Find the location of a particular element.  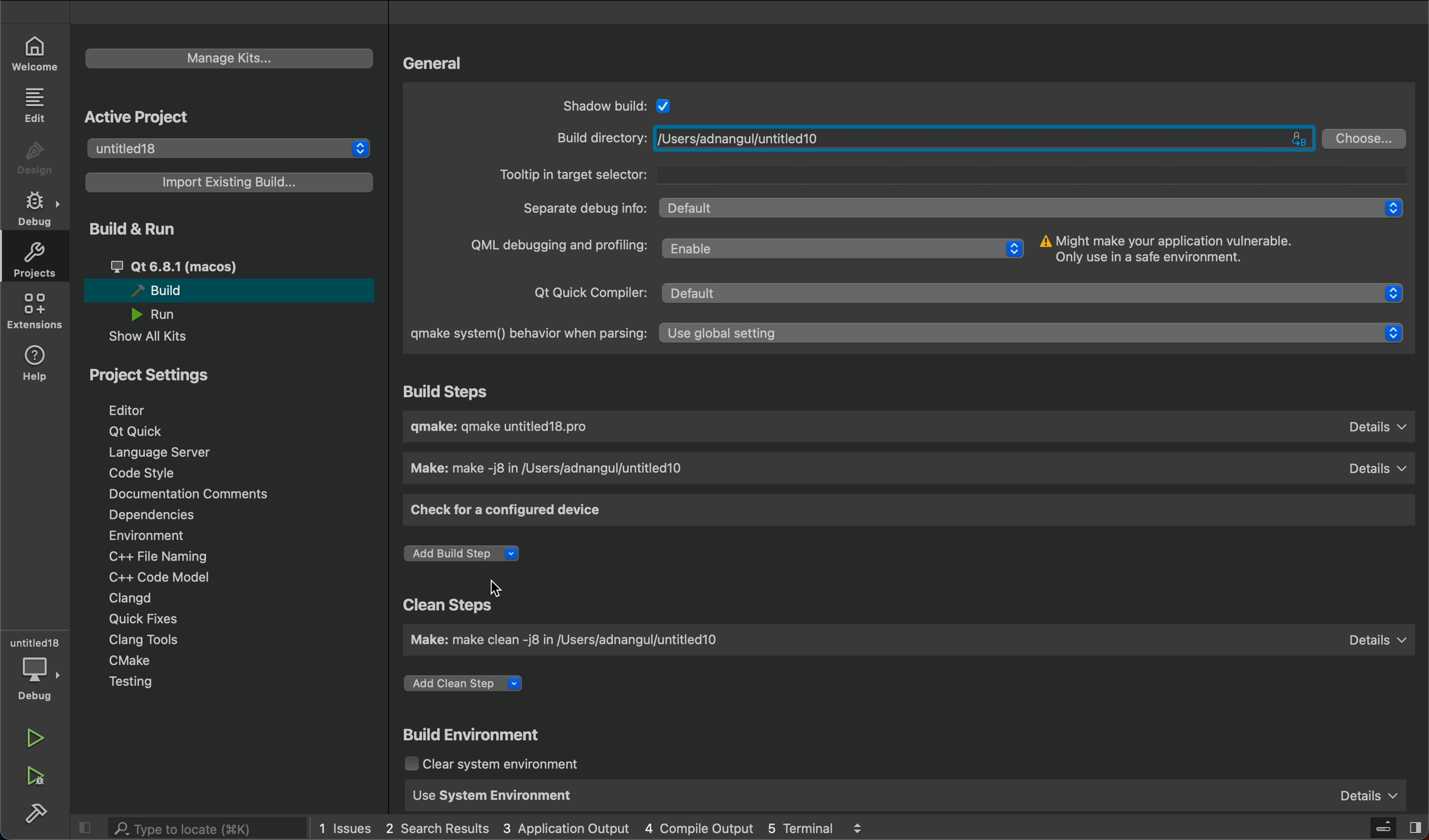

Use global setting is located at coordinates (1035, 334).